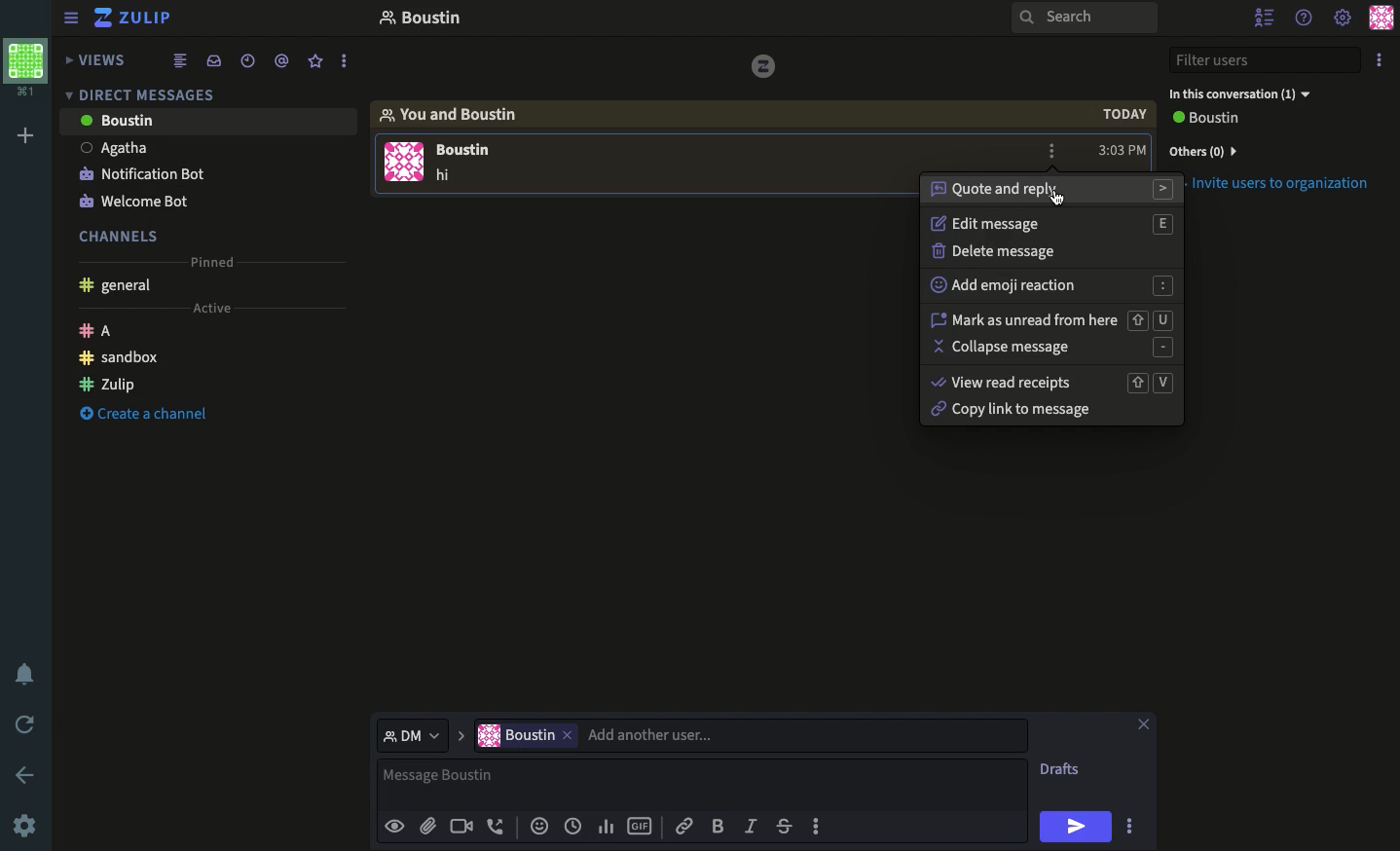  Describe the element at coordinates (1053, 286) in the screenshot. I see `Add emoji reaction` at that location.